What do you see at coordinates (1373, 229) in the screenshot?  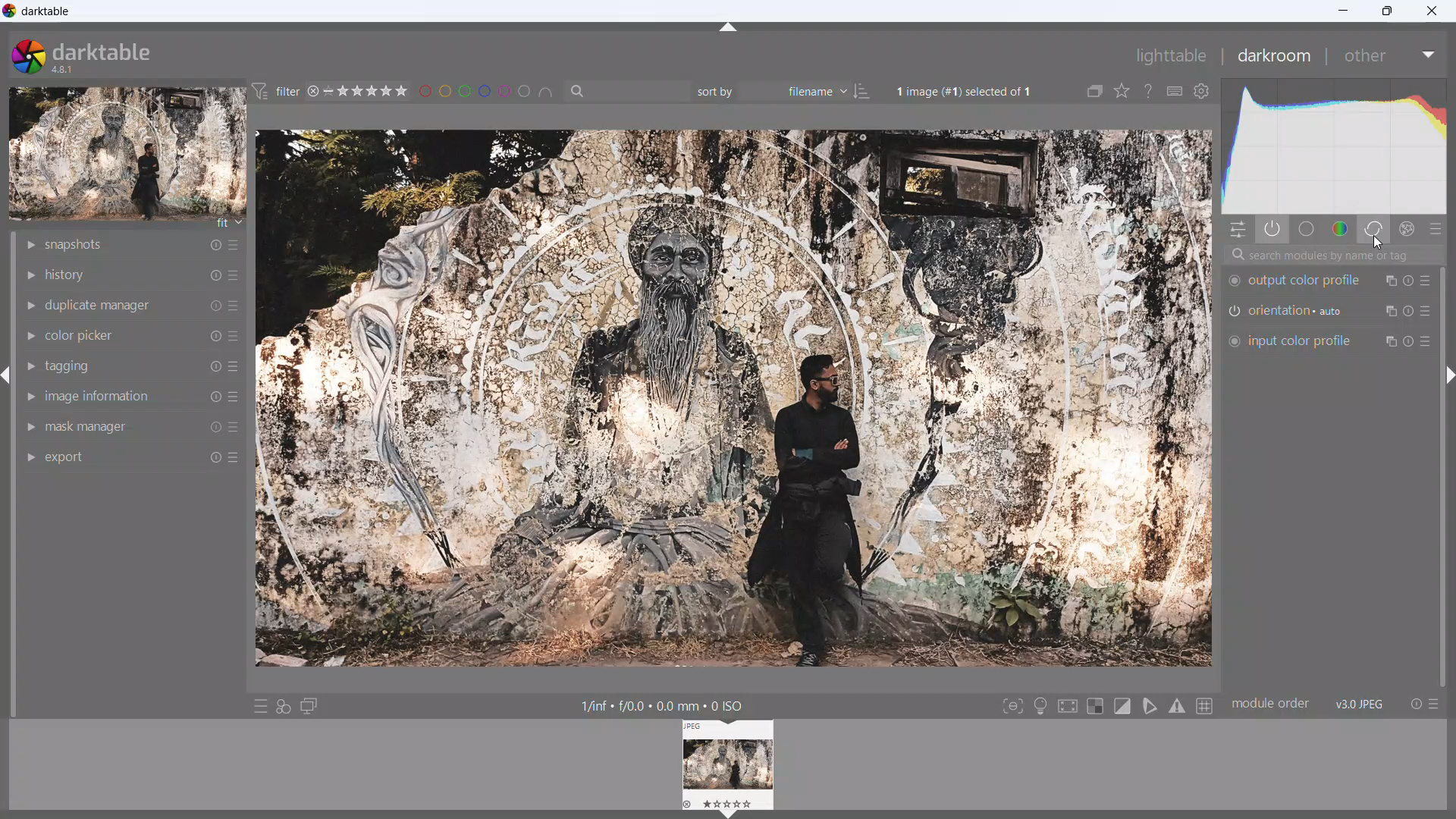 I see `correct` at bounding box center [1373, 229].